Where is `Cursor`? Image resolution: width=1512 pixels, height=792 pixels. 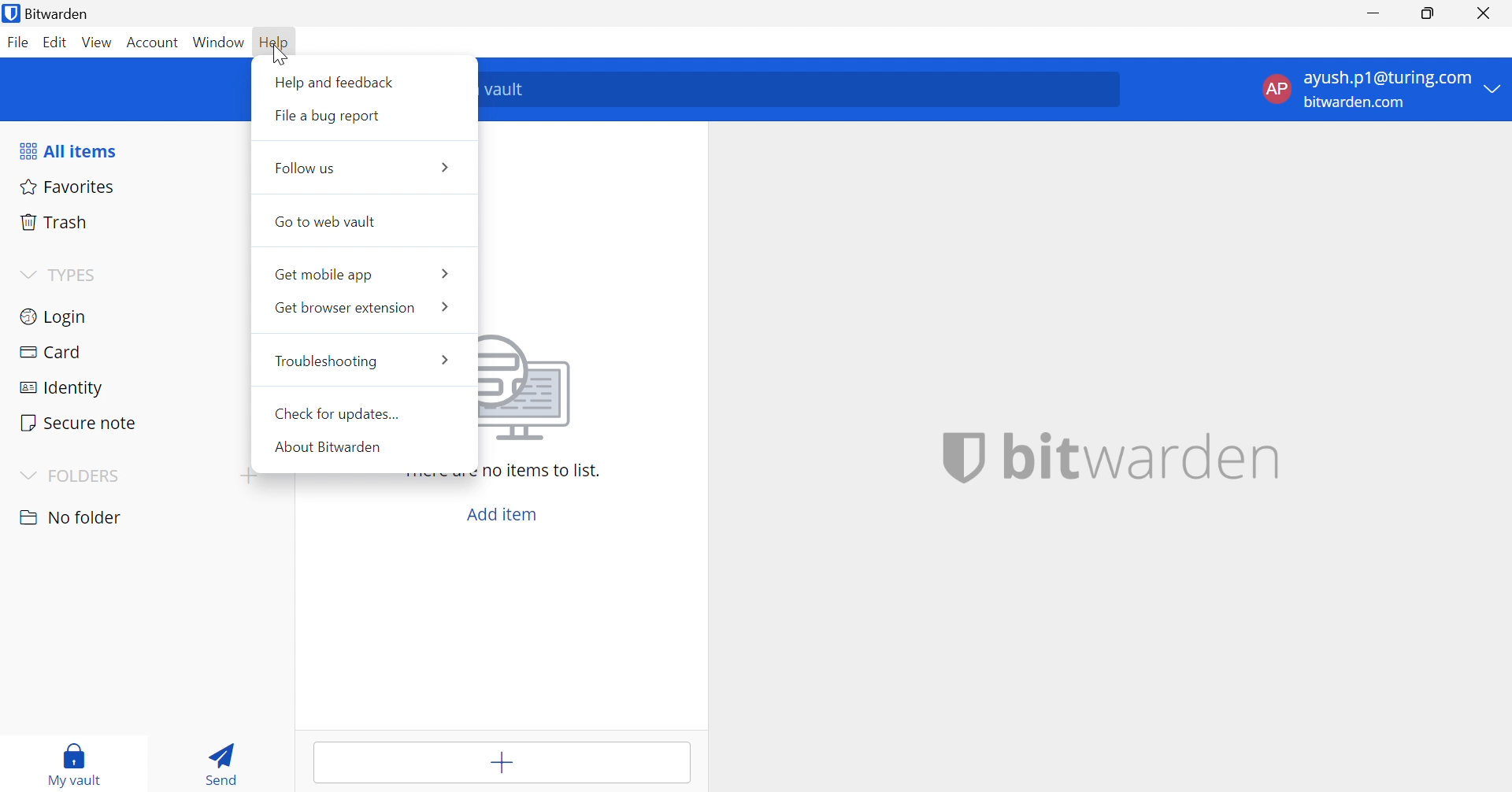
Cursor is located at coordinates (282, 57).